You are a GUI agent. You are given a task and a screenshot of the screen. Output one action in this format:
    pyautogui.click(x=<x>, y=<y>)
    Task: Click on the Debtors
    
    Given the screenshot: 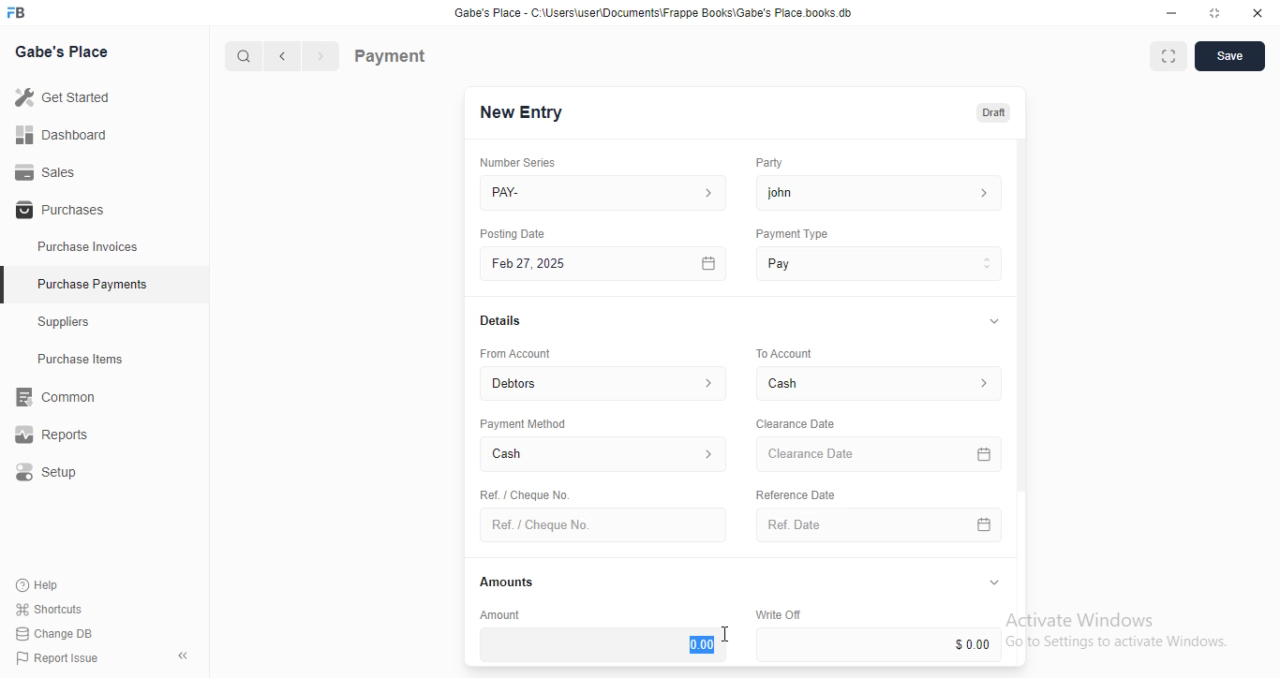 What is the action you would take?
    pyautogui.click(x=605, y=382)
    